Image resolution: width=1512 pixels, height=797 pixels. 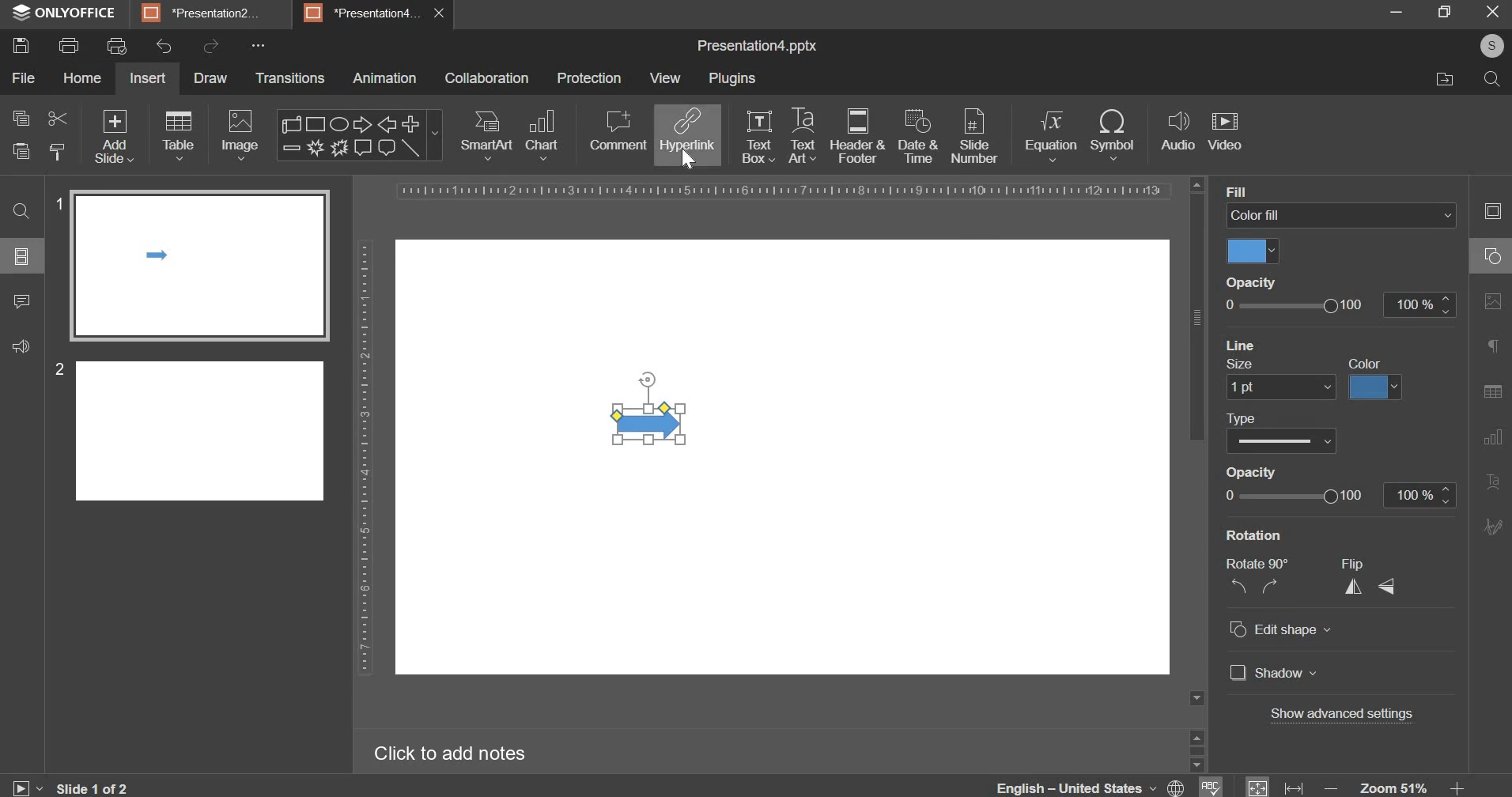 I want to click on Click to add notes, so click(x=452, y=755).